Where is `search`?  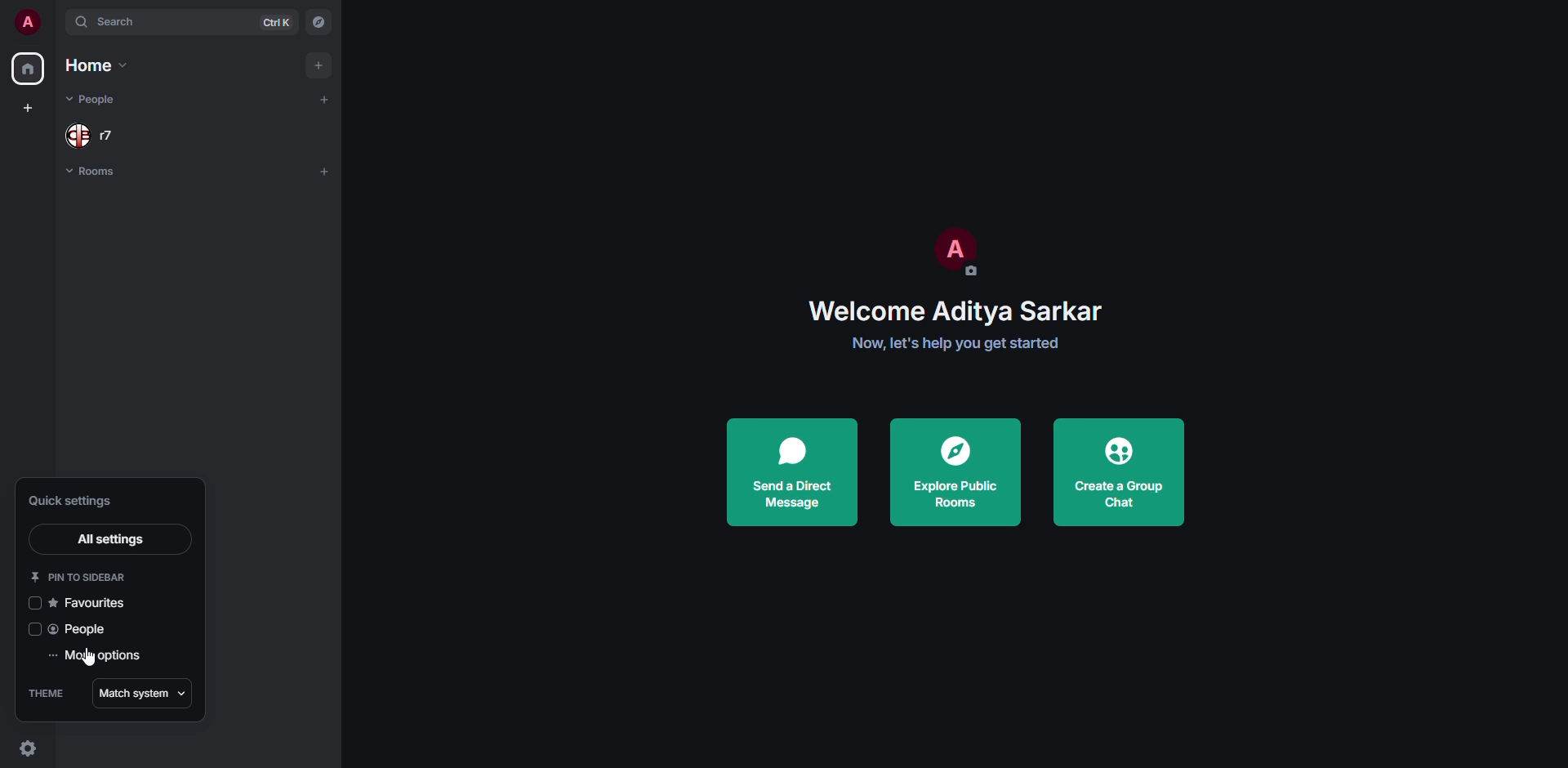
search is located at coordinates (120, 25).